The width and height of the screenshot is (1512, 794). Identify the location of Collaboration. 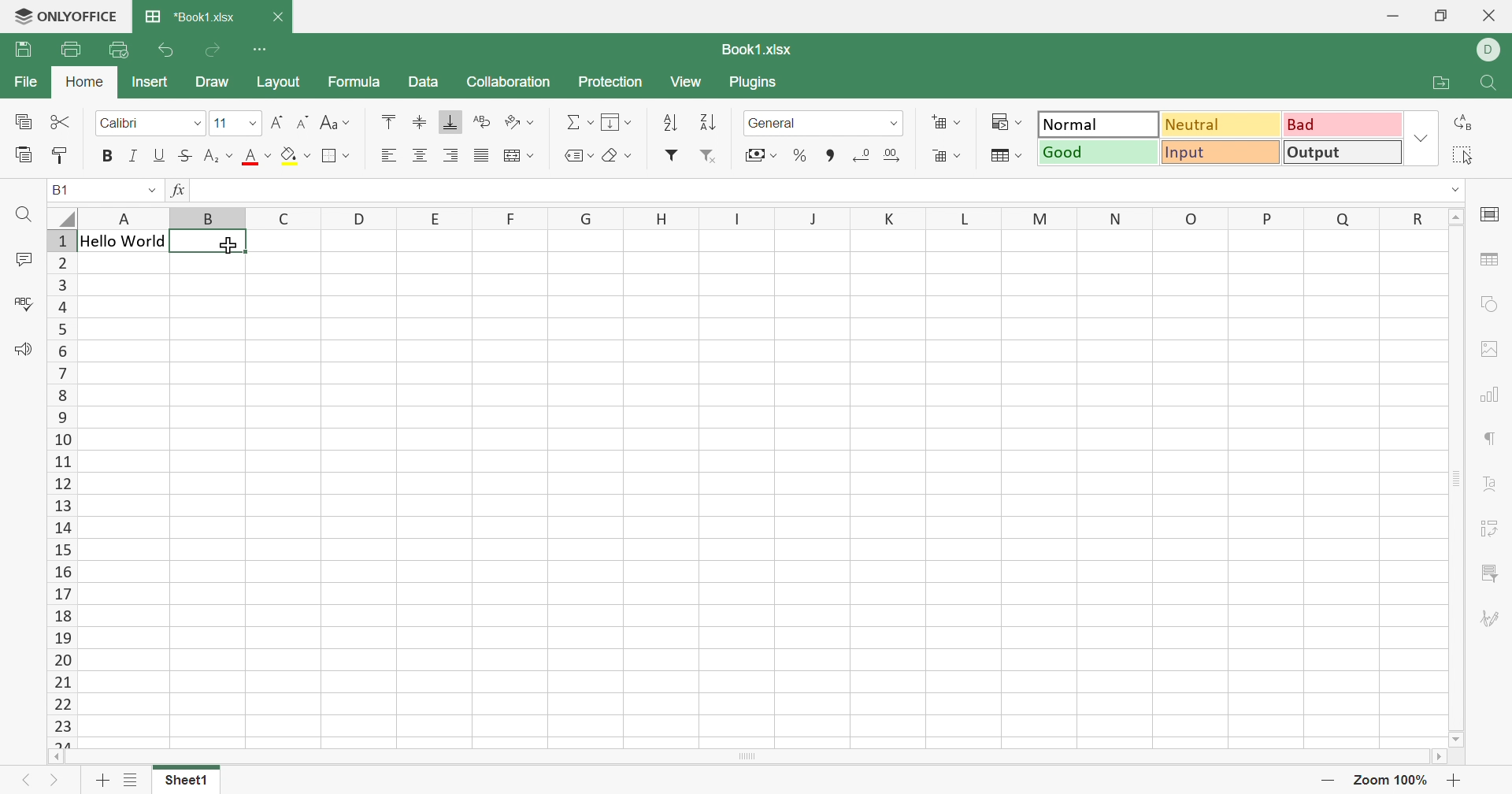
(508, 81).